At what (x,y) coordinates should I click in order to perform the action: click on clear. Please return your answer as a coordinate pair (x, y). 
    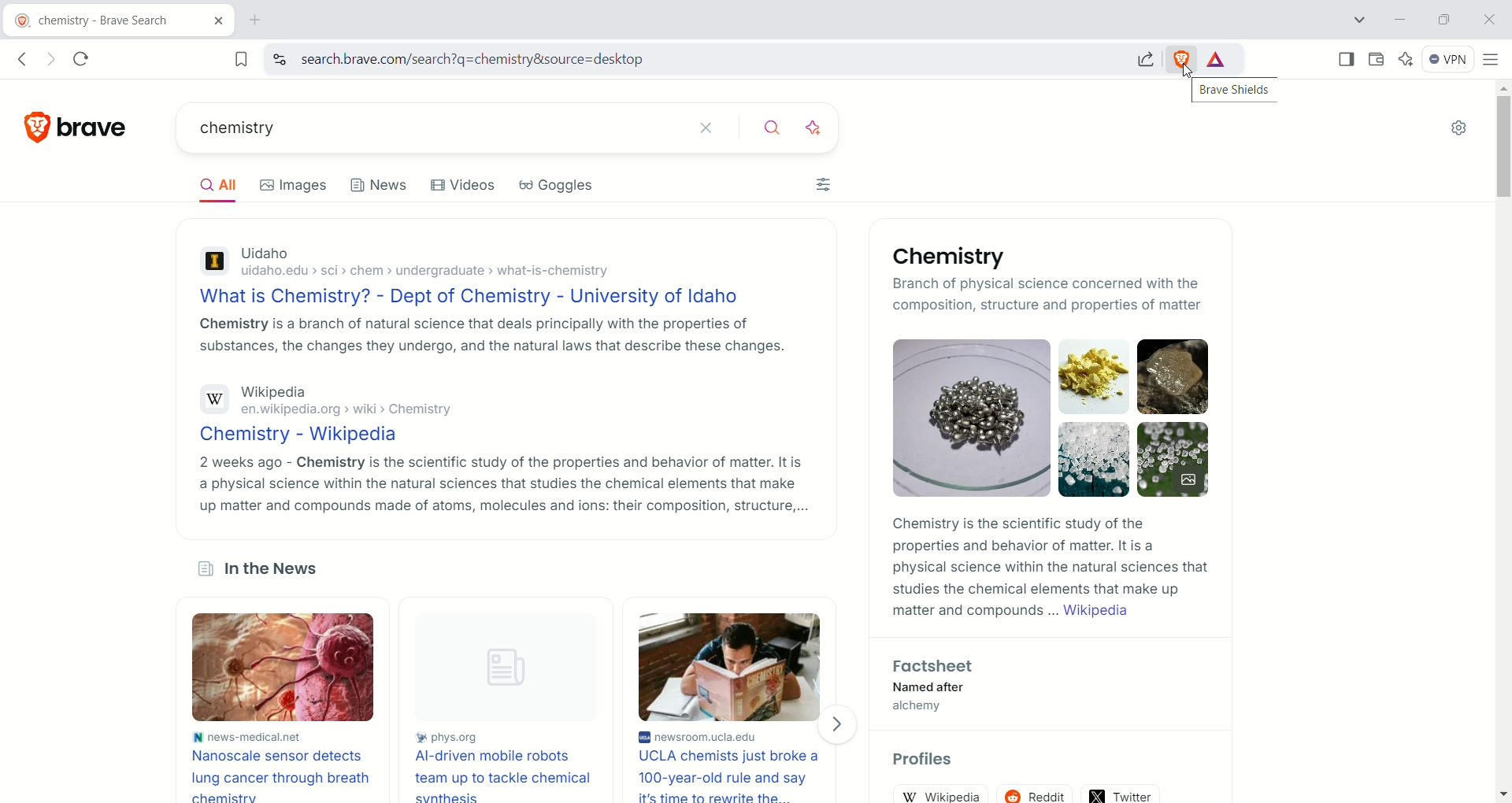
    Looking at the image, I should click on (715, 128).